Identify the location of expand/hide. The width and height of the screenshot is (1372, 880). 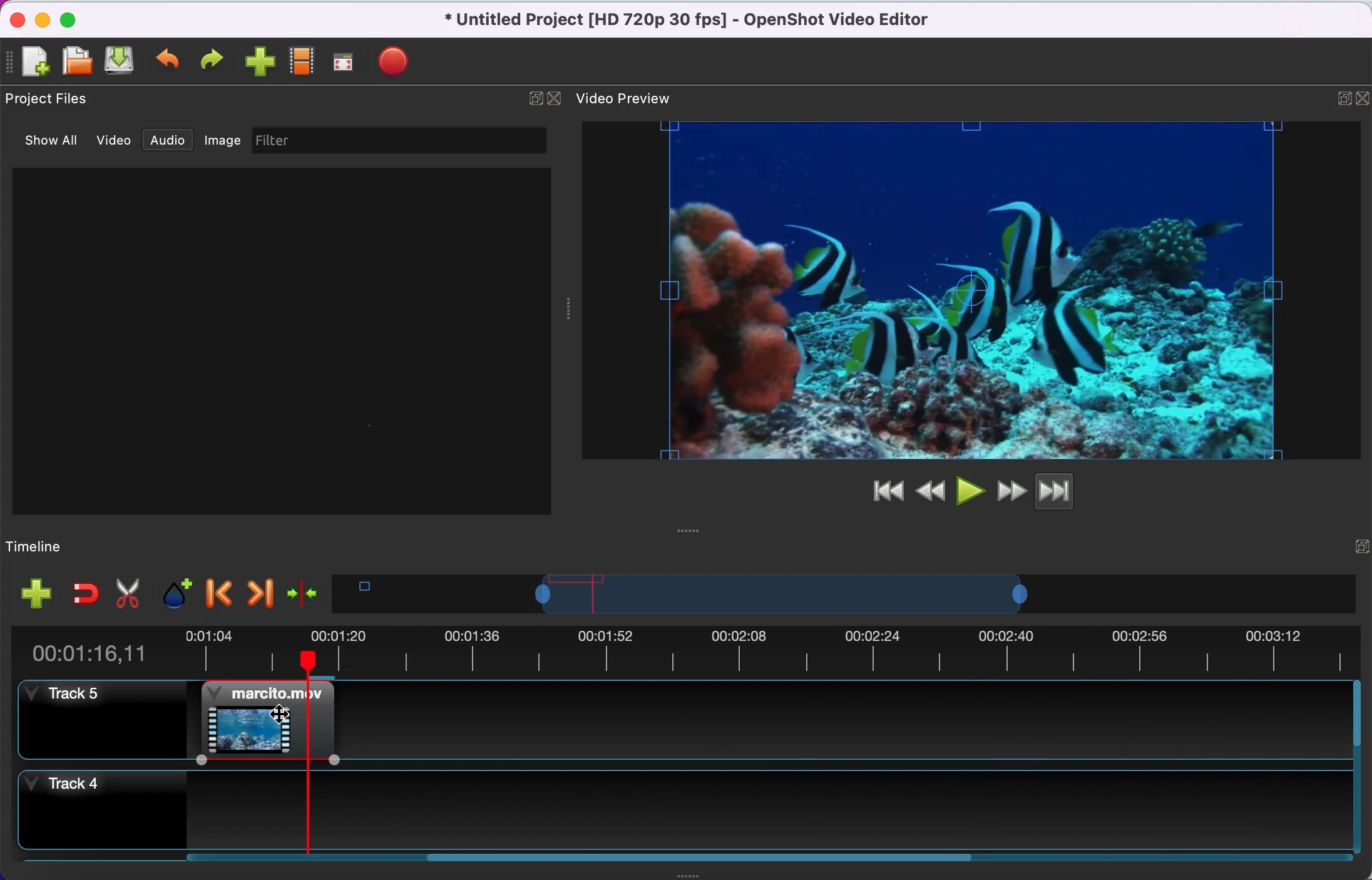
(528, 100).